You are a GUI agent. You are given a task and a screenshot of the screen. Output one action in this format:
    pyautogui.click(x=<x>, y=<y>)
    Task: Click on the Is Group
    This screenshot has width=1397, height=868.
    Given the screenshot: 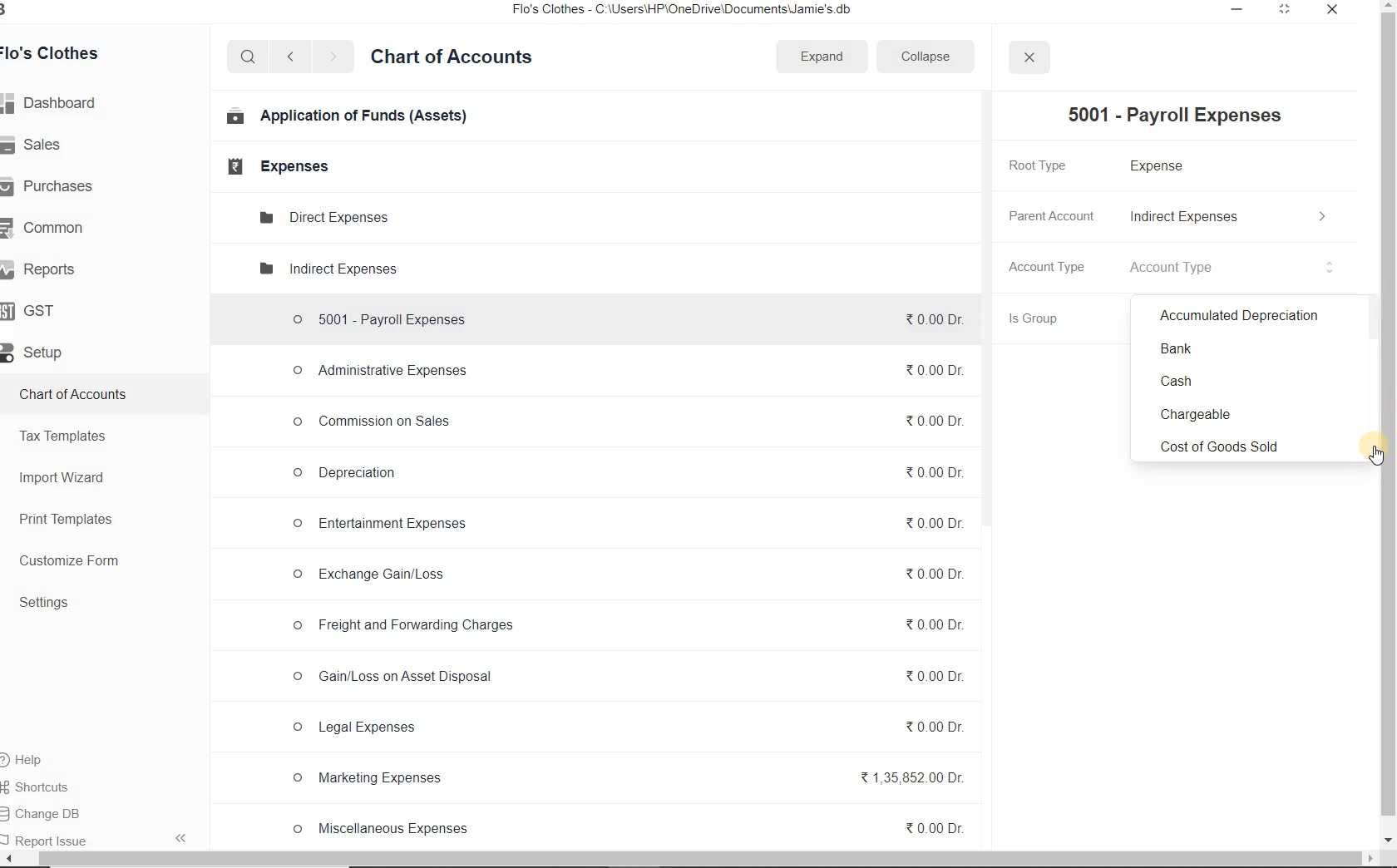 What is the action you would take?
    pyautogui.click(x=1047, y=318)
    